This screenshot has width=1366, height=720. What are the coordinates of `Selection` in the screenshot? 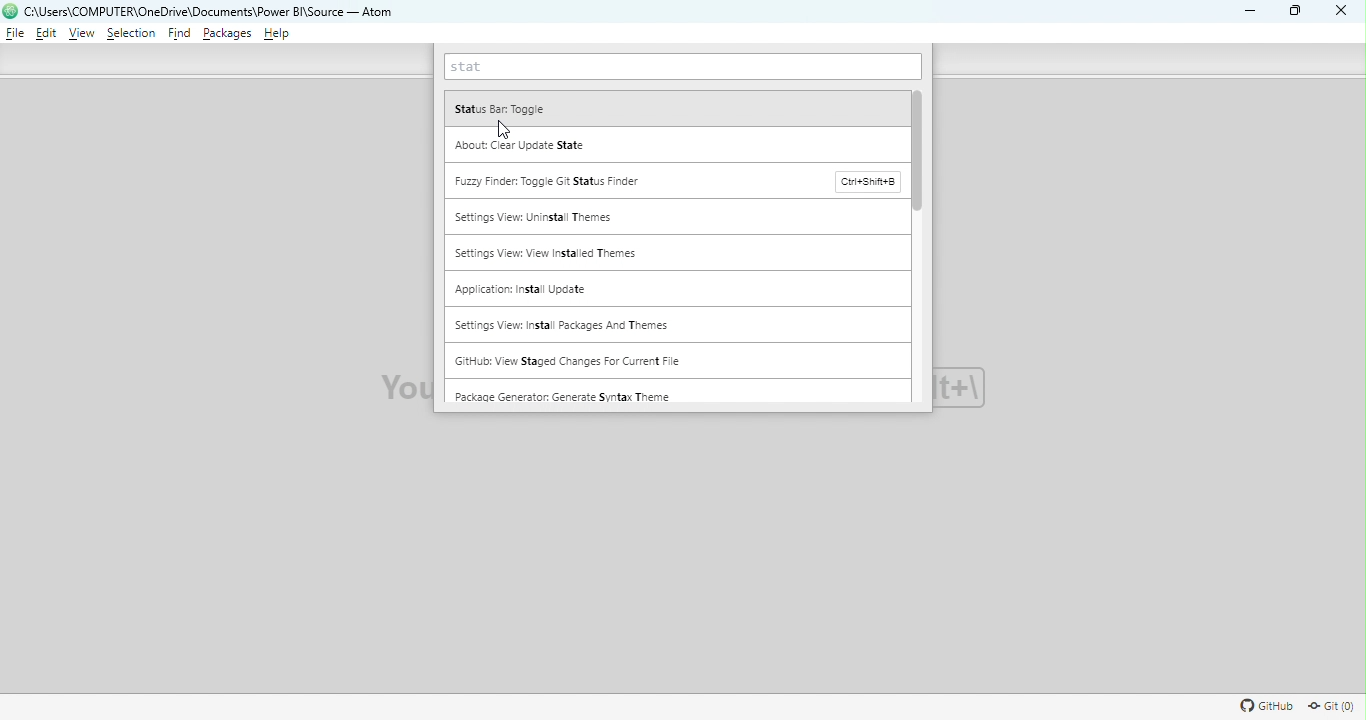 It's located at (131, 36).